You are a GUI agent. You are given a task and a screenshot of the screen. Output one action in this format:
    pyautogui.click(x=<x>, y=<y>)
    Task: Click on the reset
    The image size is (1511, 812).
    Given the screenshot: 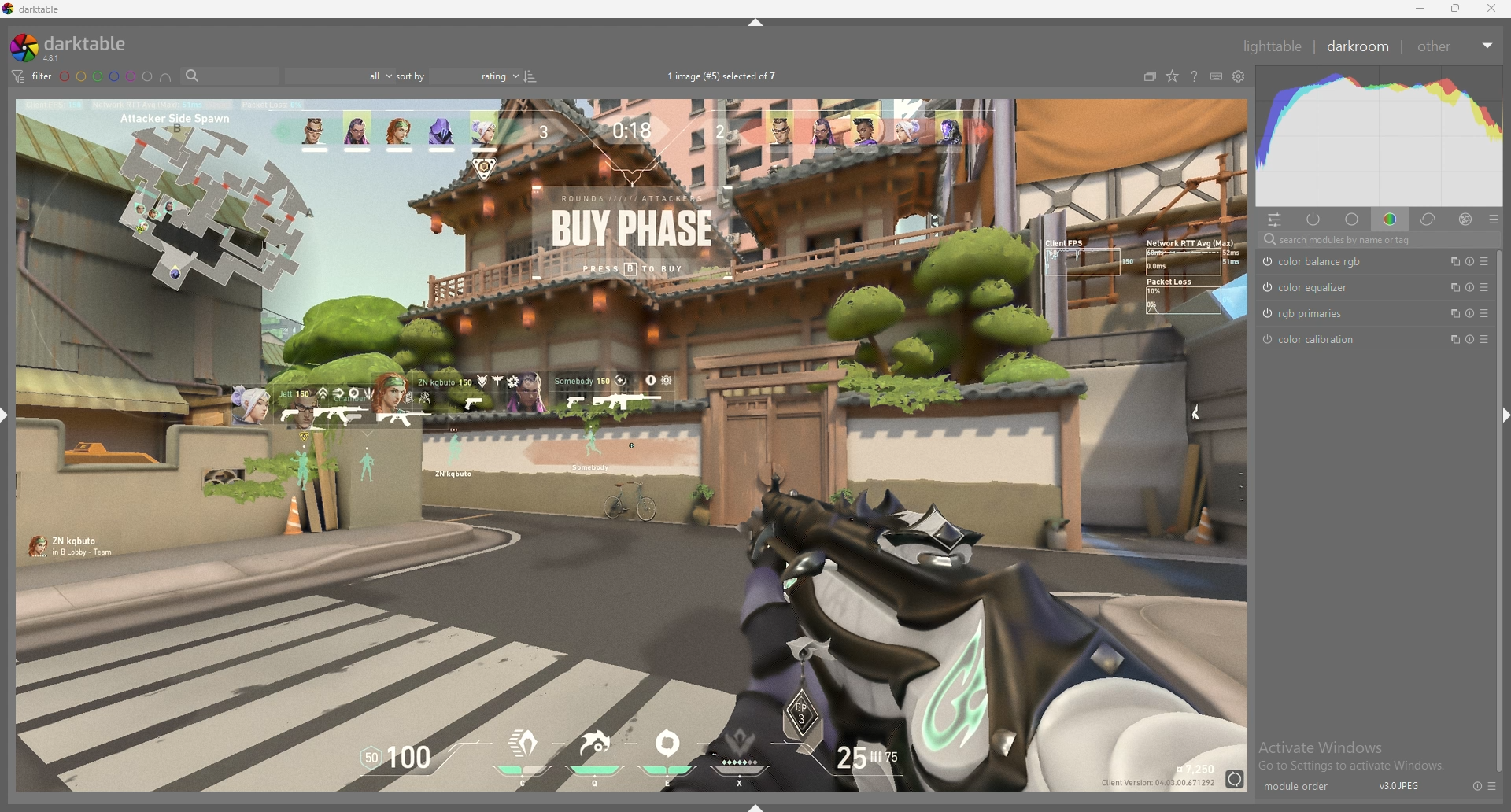 What is the action you would take?
    pyautogui.click(x=1469, y=313)
    